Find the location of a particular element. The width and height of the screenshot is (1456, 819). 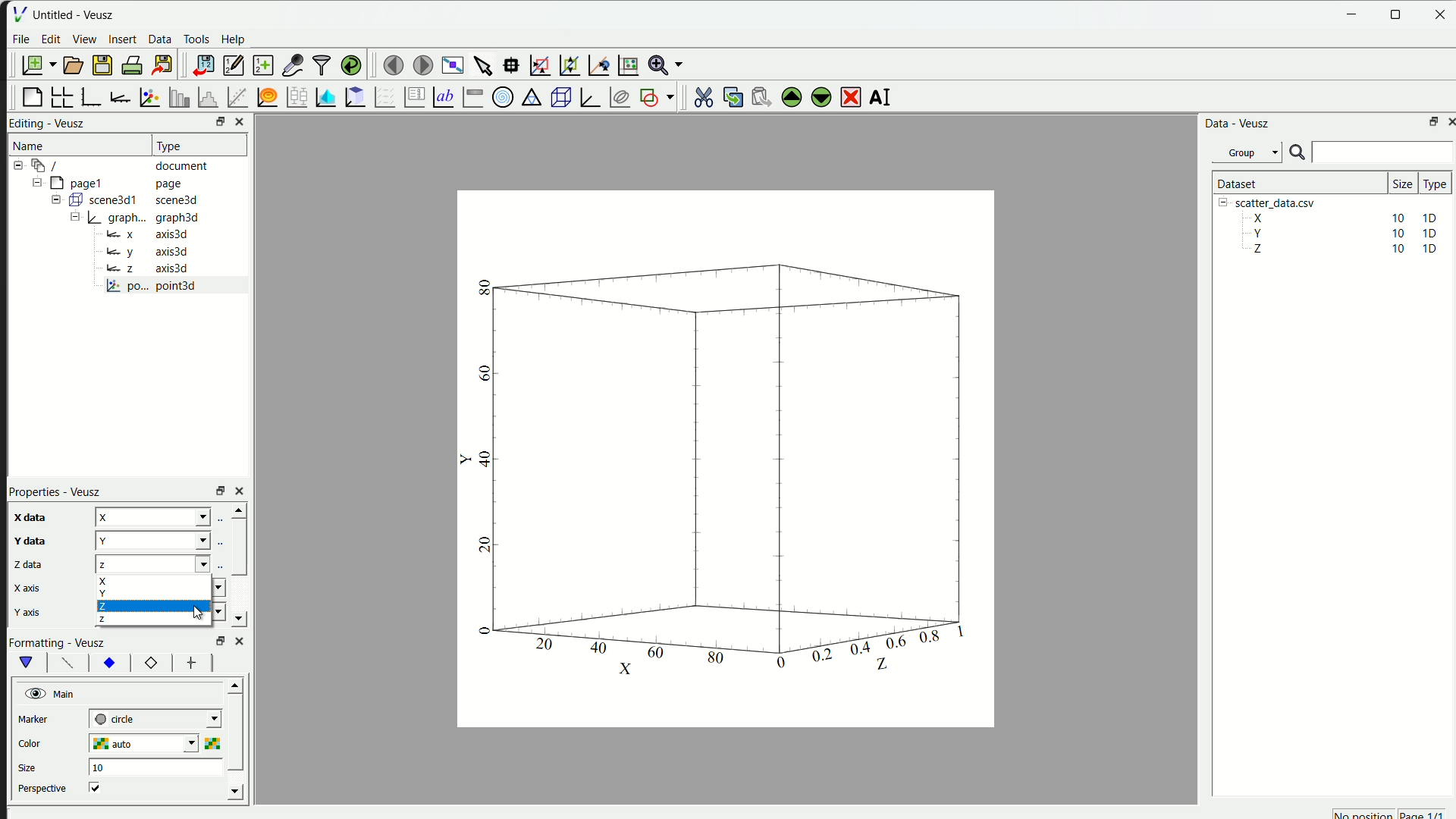

new document is located at coordinates (35, 64).